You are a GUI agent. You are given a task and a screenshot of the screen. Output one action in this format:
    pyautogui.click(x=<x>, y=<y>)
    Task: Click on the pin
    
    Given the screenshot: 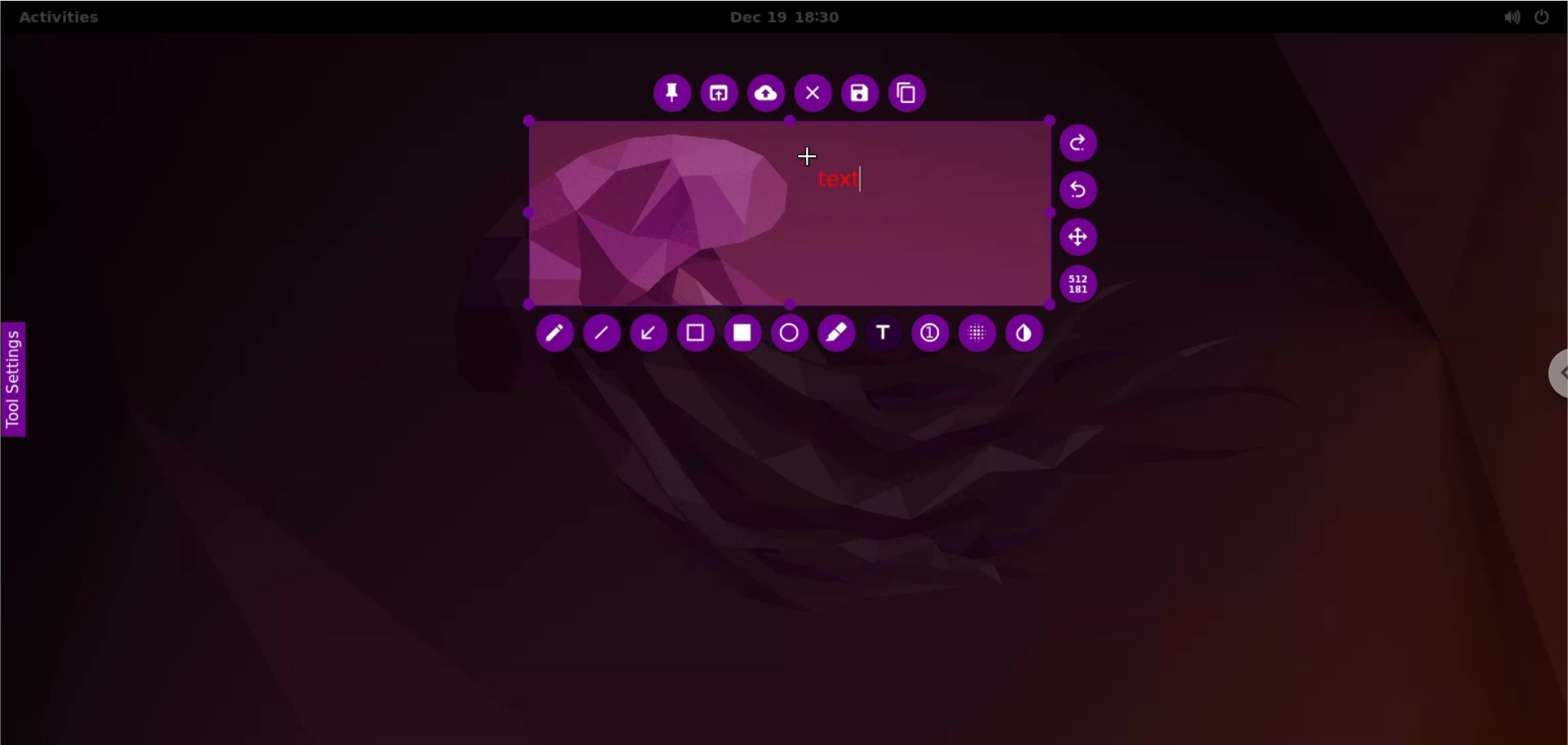 What is the action you would take?
    pyautogui.click(x=674, y=95)
    